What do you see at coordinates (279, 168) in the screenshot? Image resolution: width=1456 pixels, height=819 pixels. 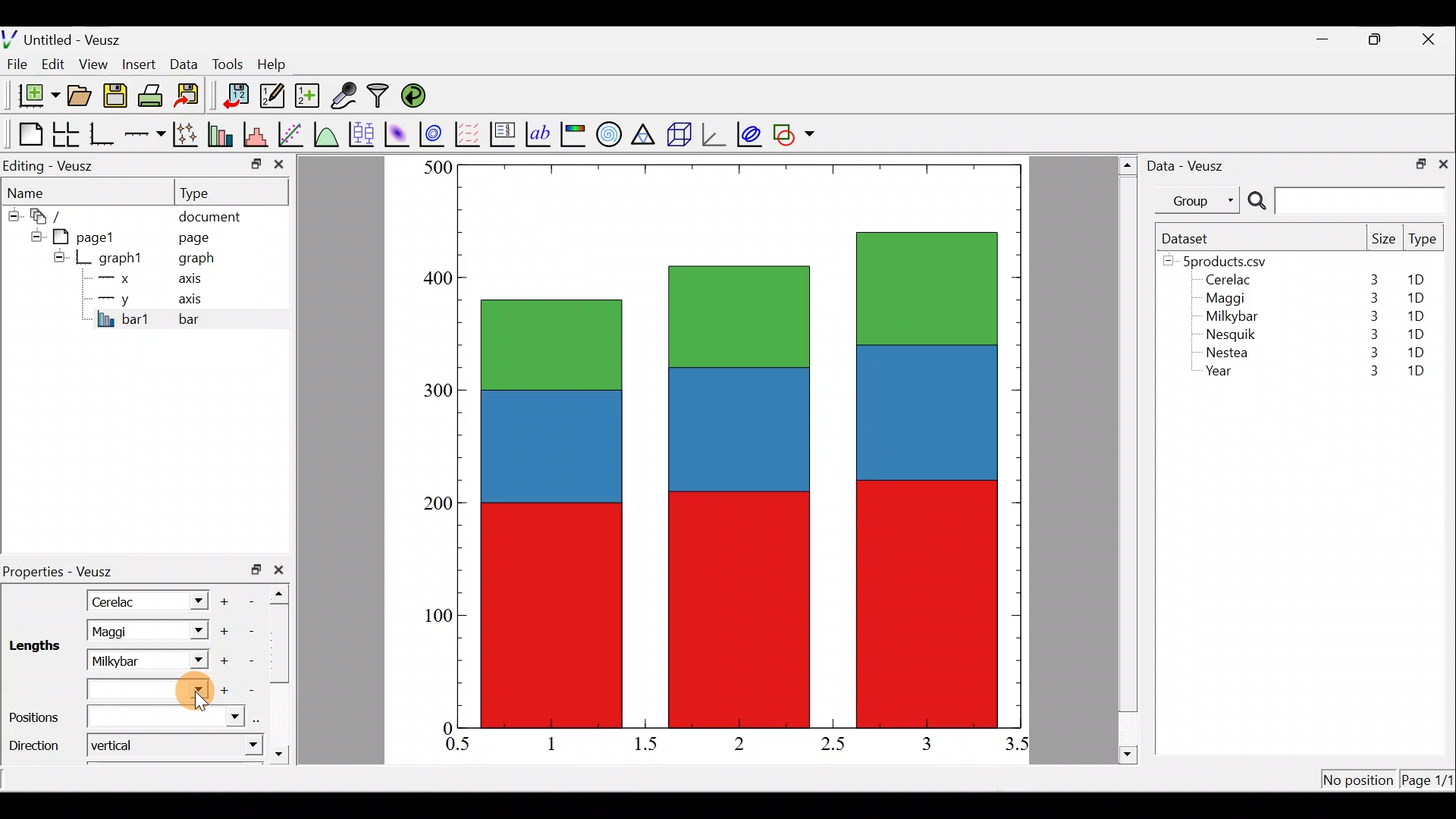 I see `close` at bounding box center [279, 168].